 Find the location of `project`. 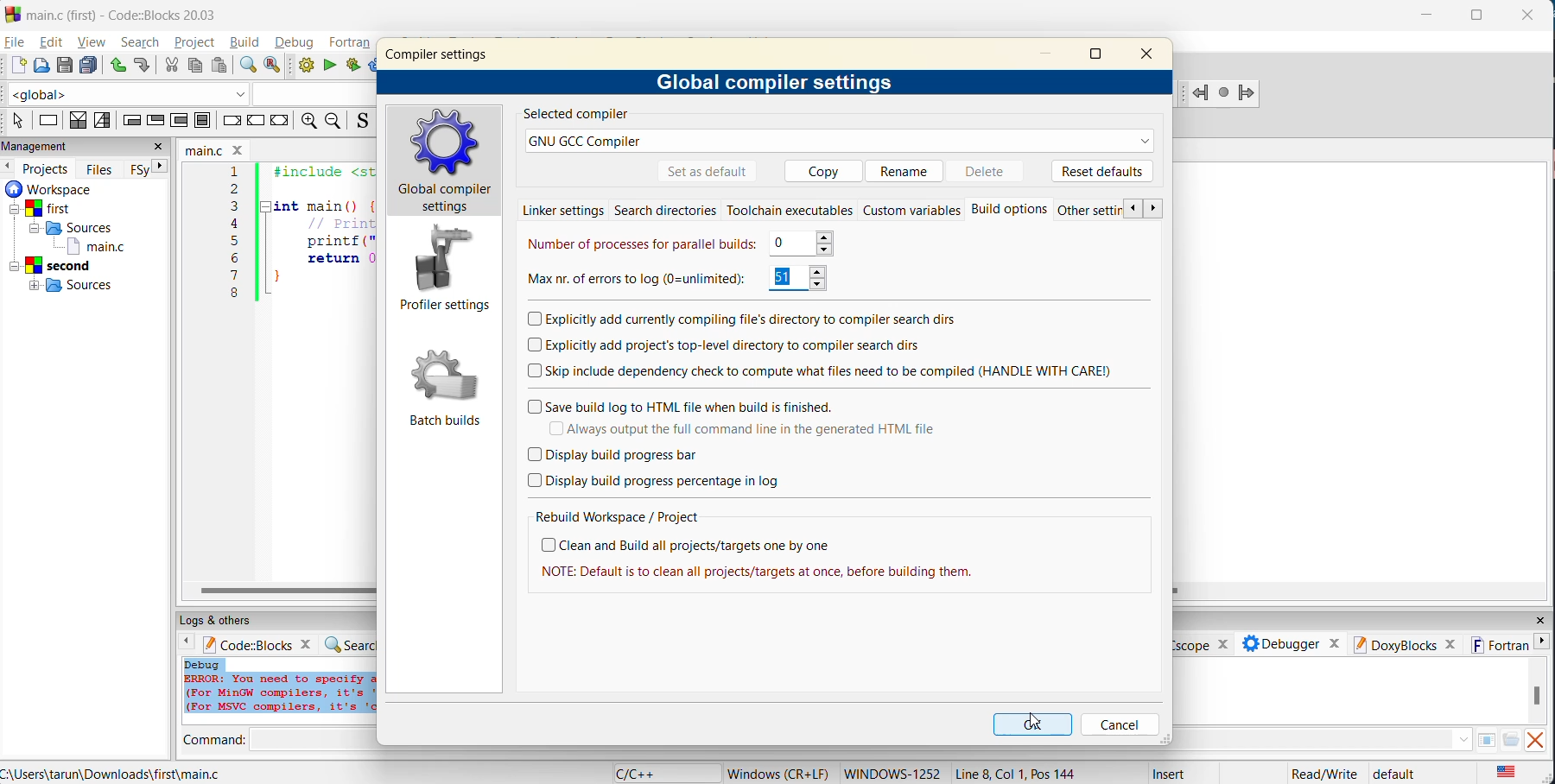

project is located at coordinates (195, 44).